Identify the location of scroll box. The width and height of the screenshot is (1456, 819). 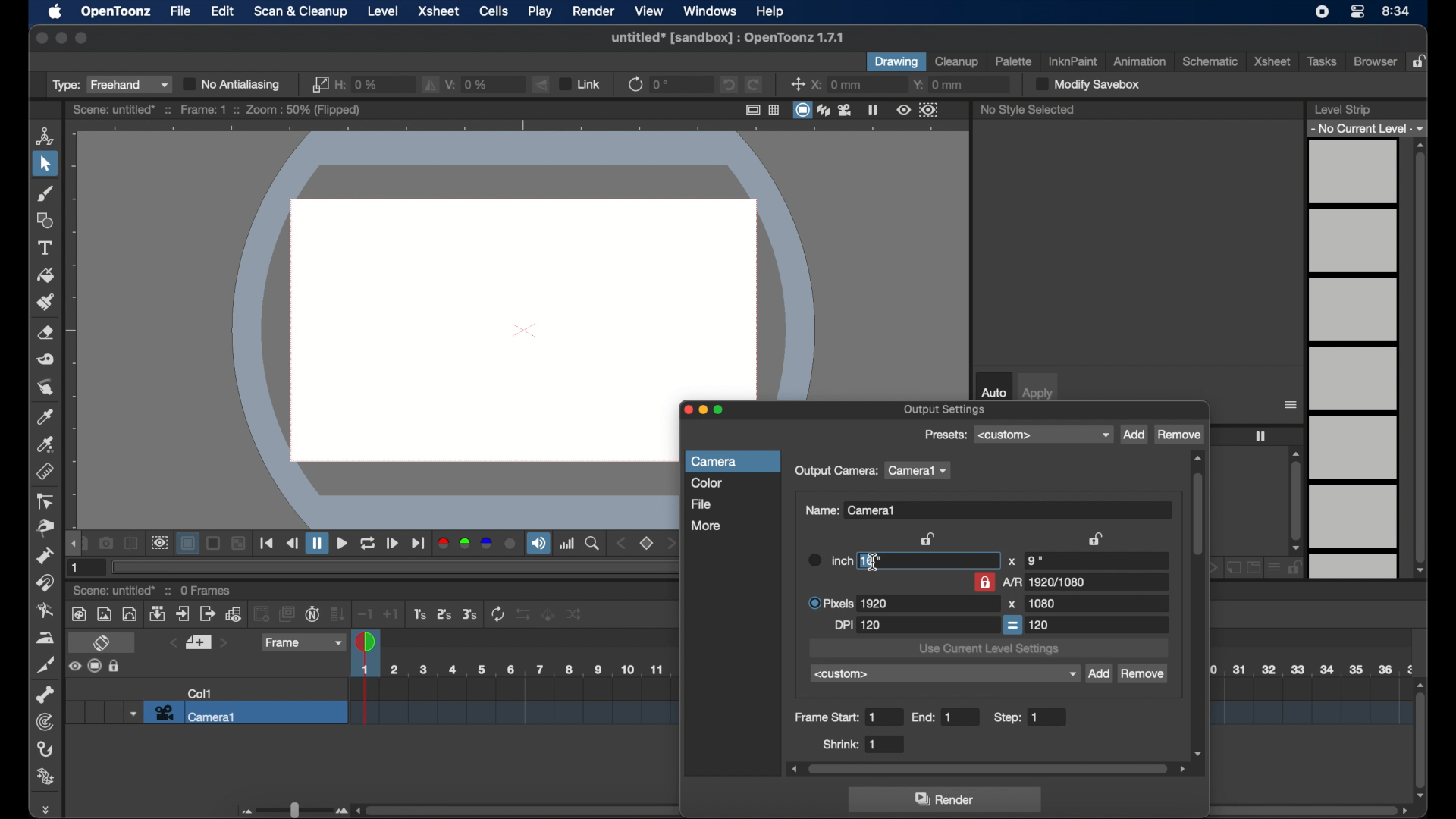
(510, 808).